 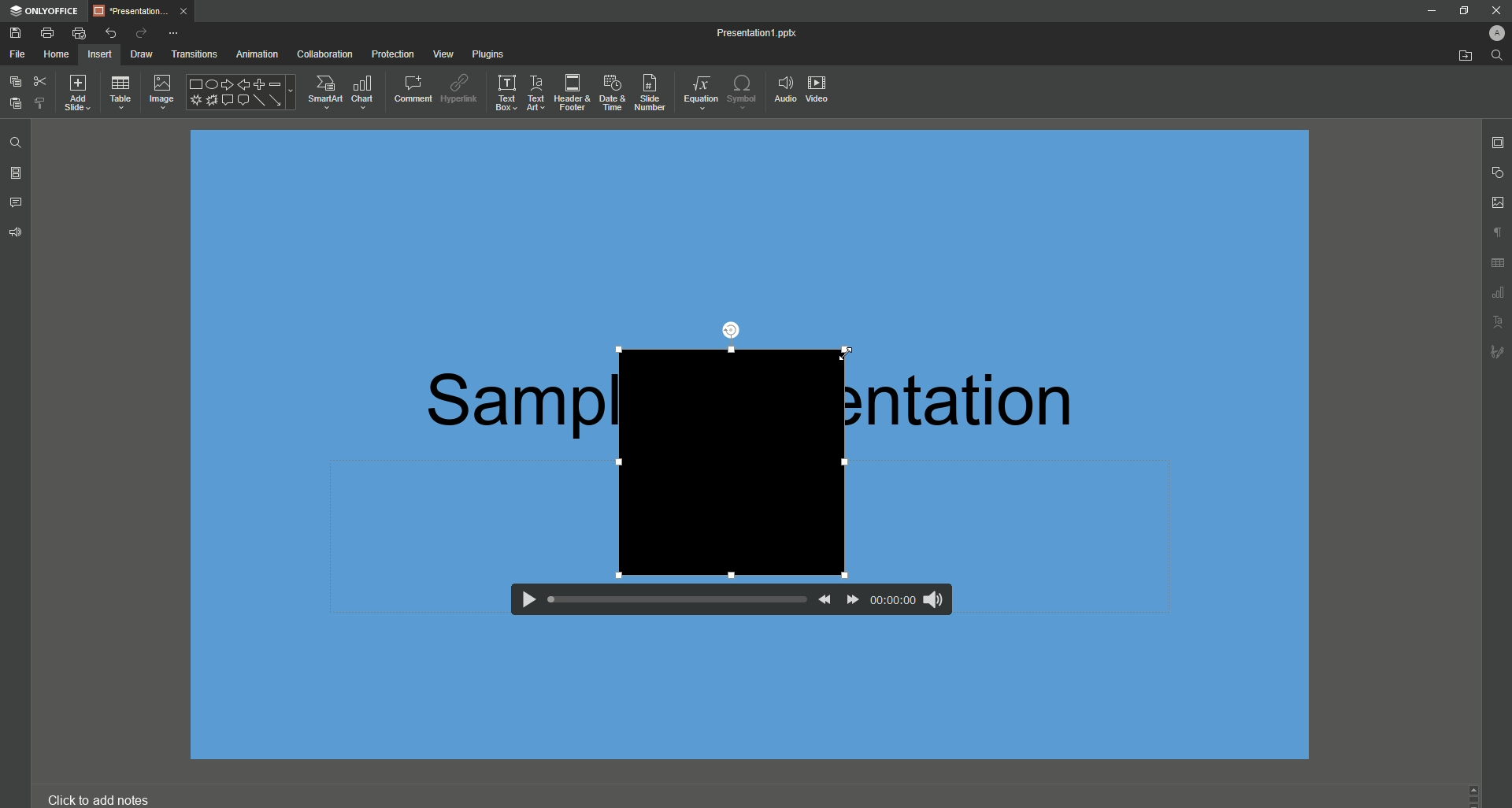 I want to click on Comments, so click(x=17, y=203).